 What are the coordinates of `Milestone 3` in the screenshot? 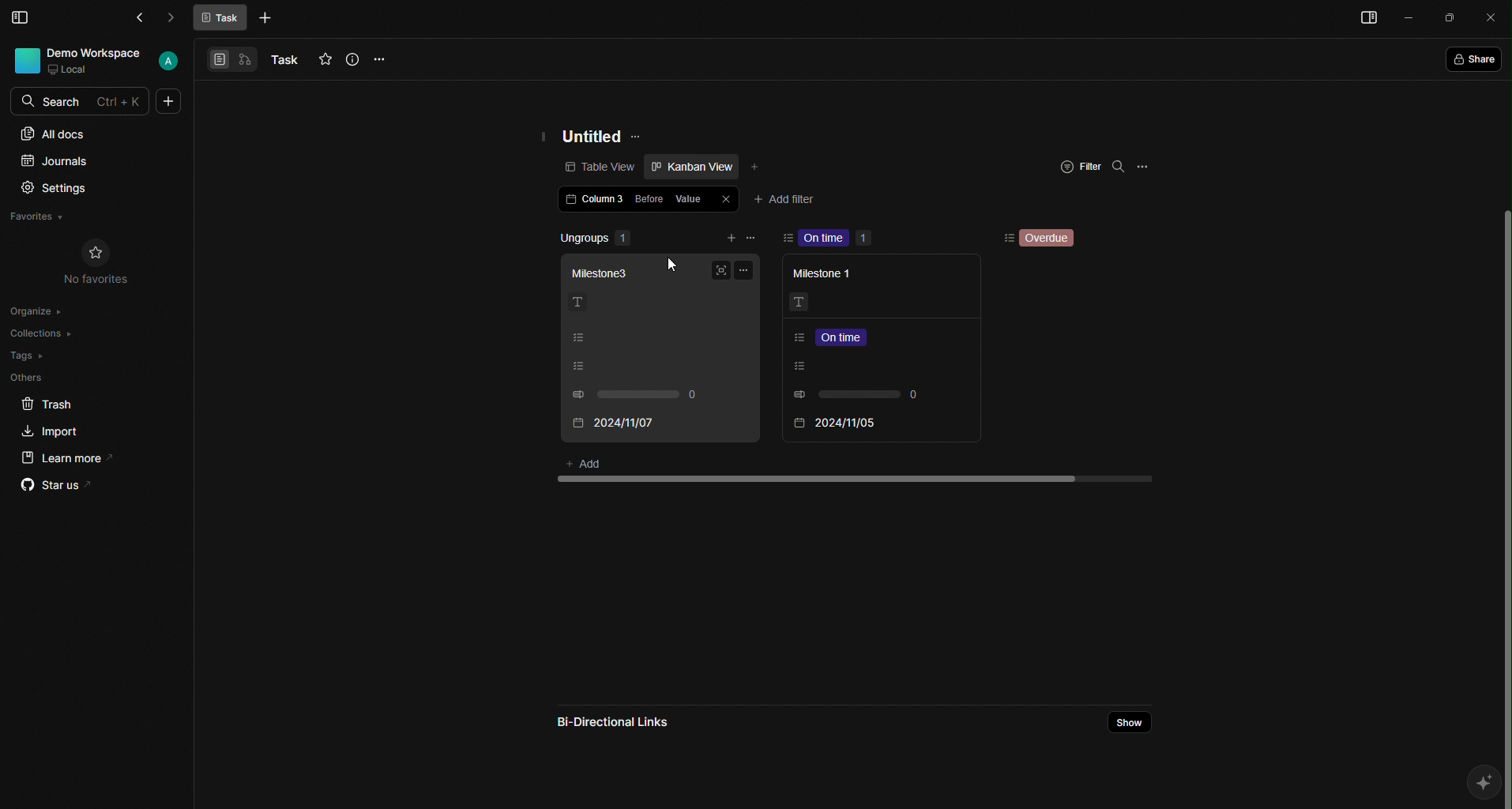 It's located at (599, 272).